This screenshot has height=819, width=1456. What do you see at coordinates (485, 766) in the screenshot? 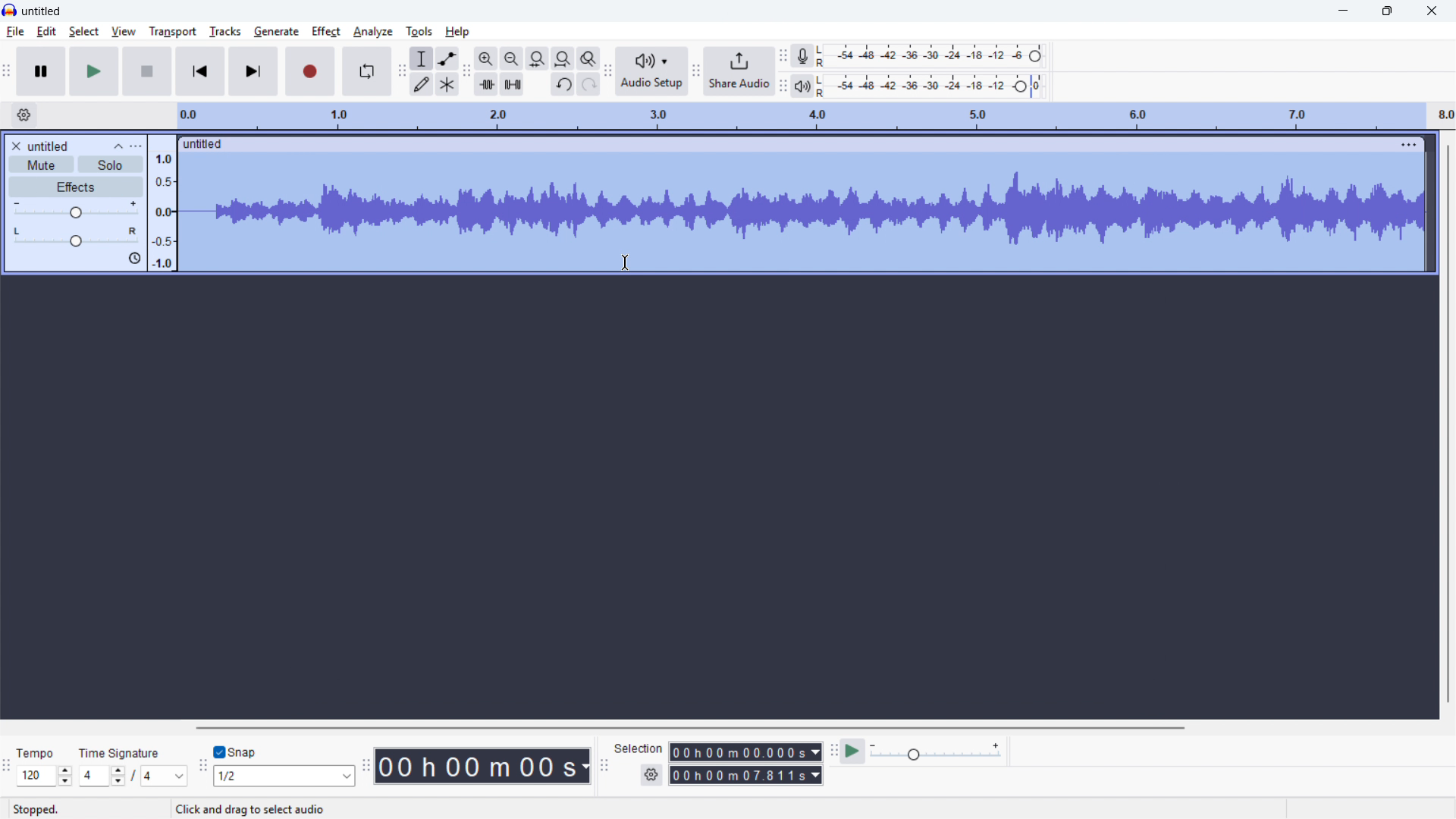
I see `Timestamp ` at bounding box center [485, 766].